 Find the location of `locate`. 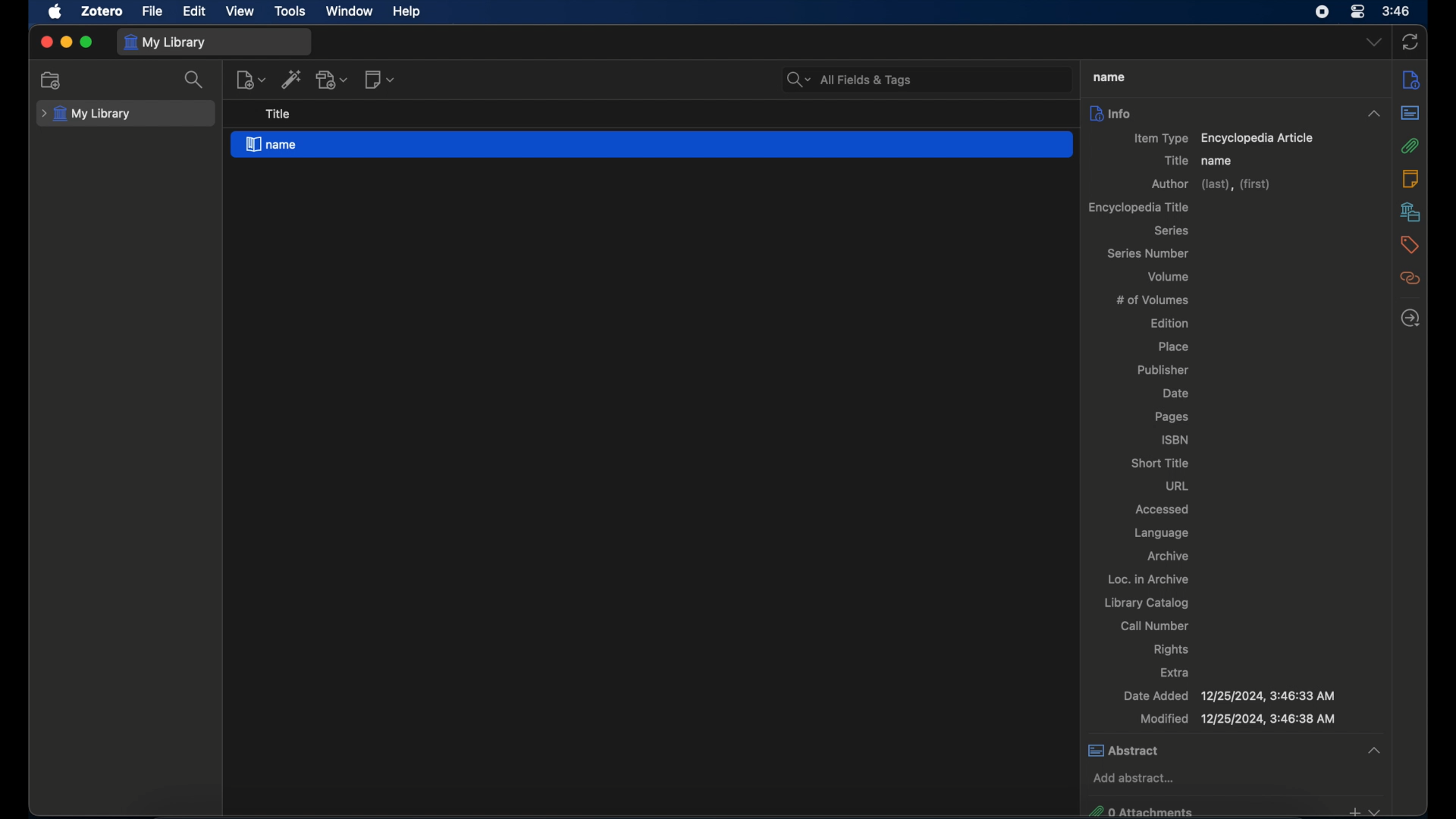

locate is located at coordinates (1410, 319).